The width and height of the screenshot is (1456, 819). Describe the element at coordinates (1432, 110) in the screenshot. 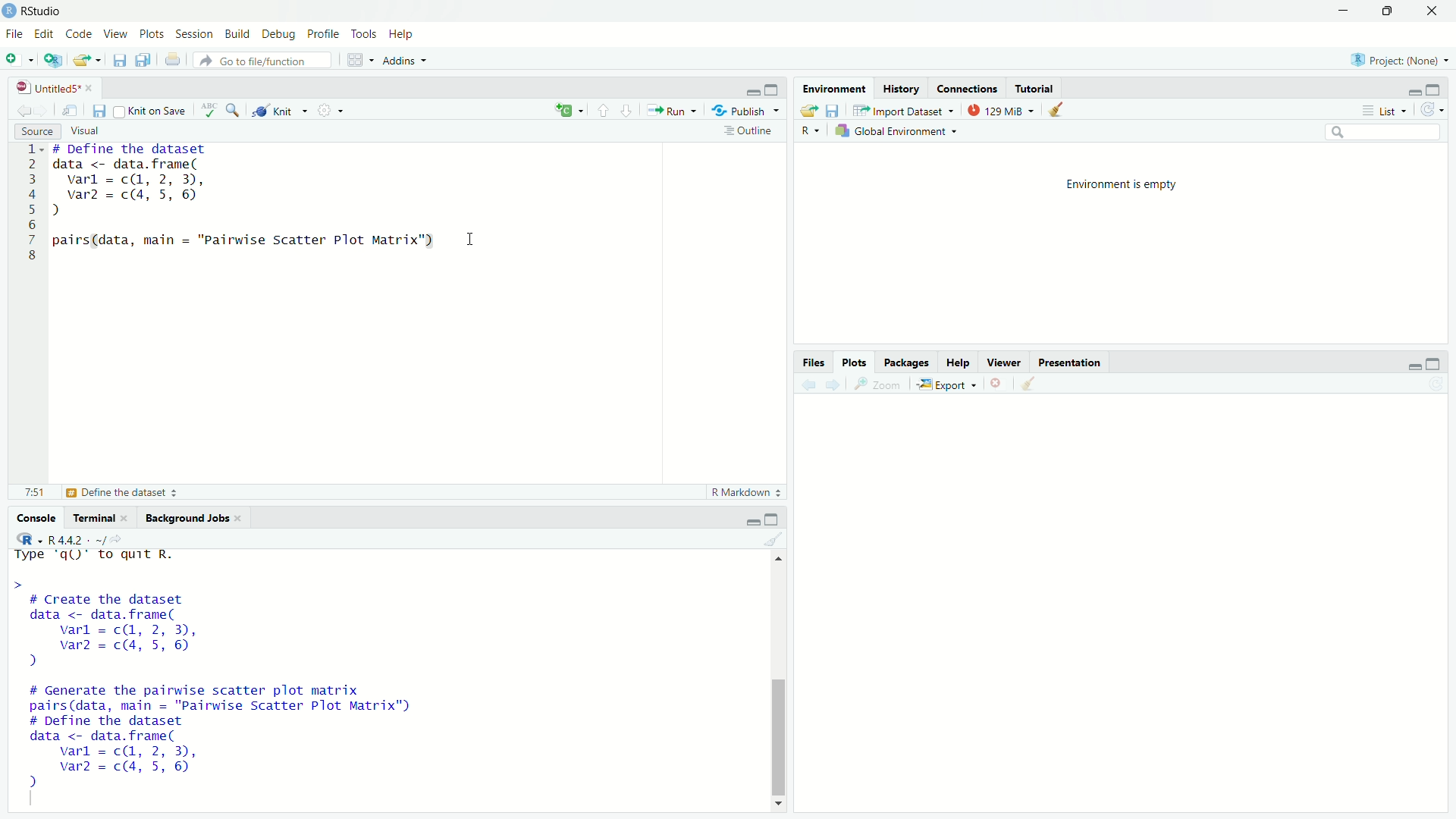

I see `Refresh the list of objects in the environment` at that location.